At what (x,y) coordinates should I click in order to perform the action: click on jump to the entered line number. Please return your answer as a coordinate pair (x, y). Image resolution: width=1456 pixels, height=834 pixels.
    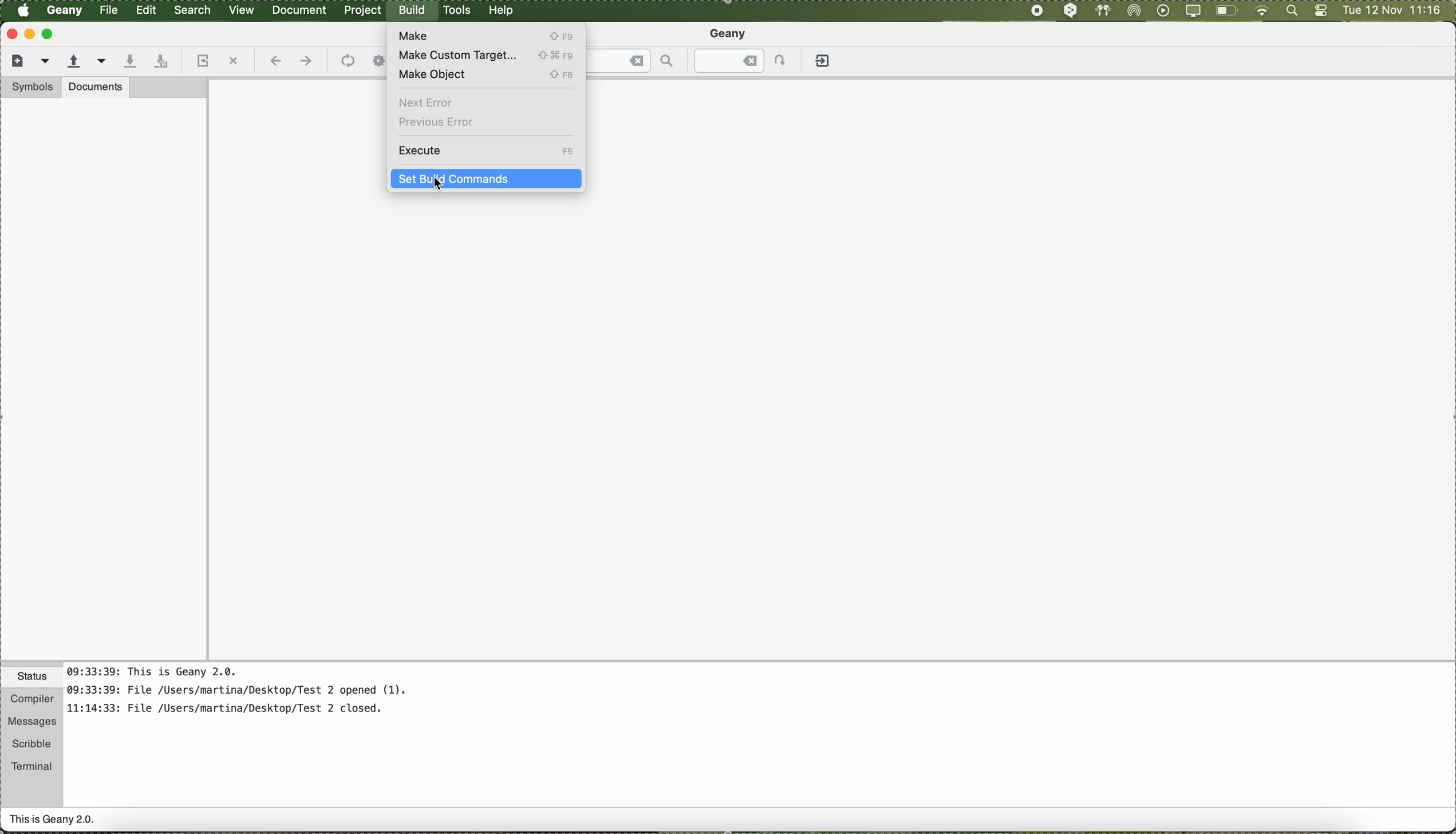
    Looking at the image, I should click on (747, 61).